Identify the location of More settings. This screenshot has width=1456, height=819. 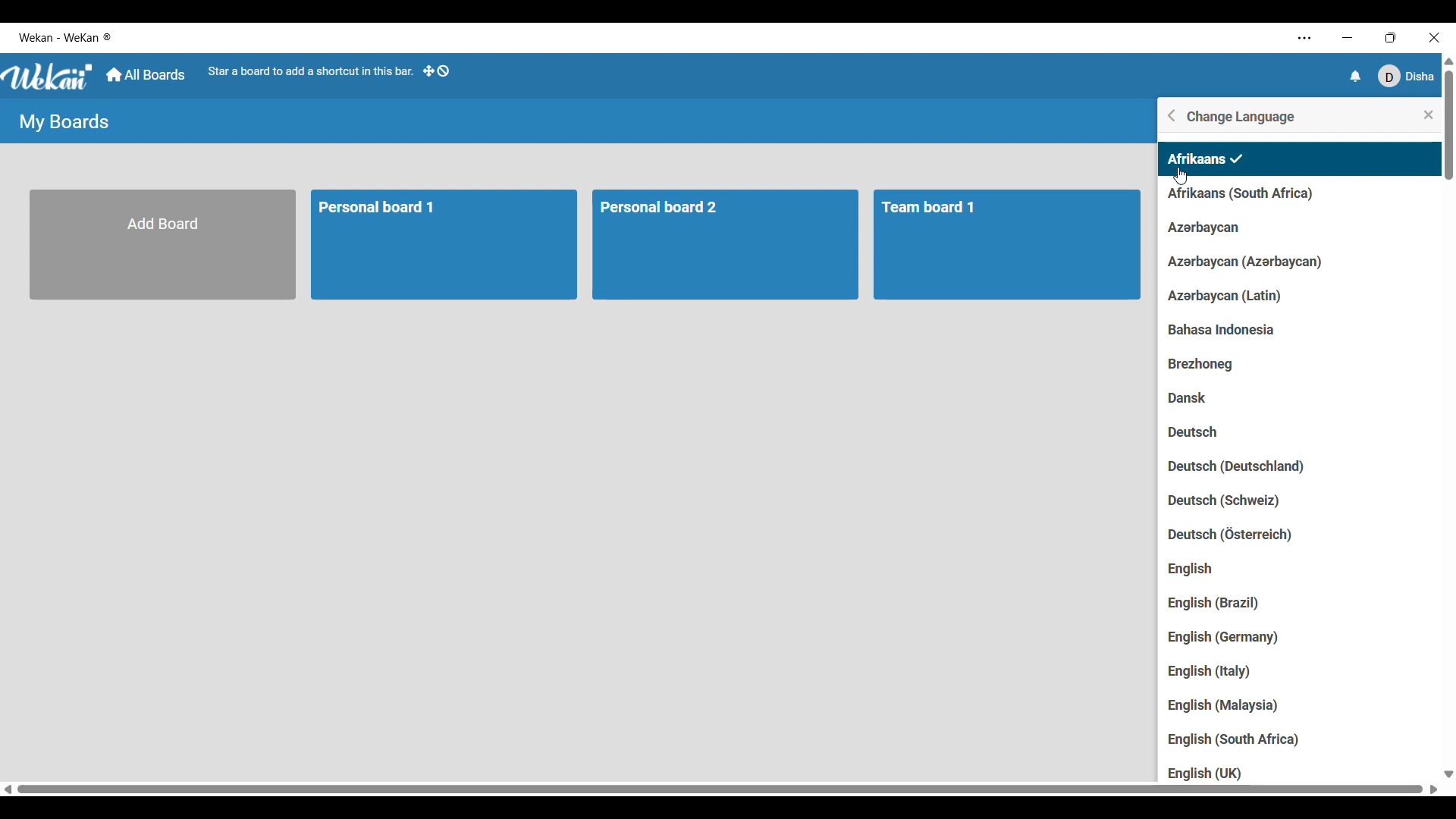
(1304, 39).